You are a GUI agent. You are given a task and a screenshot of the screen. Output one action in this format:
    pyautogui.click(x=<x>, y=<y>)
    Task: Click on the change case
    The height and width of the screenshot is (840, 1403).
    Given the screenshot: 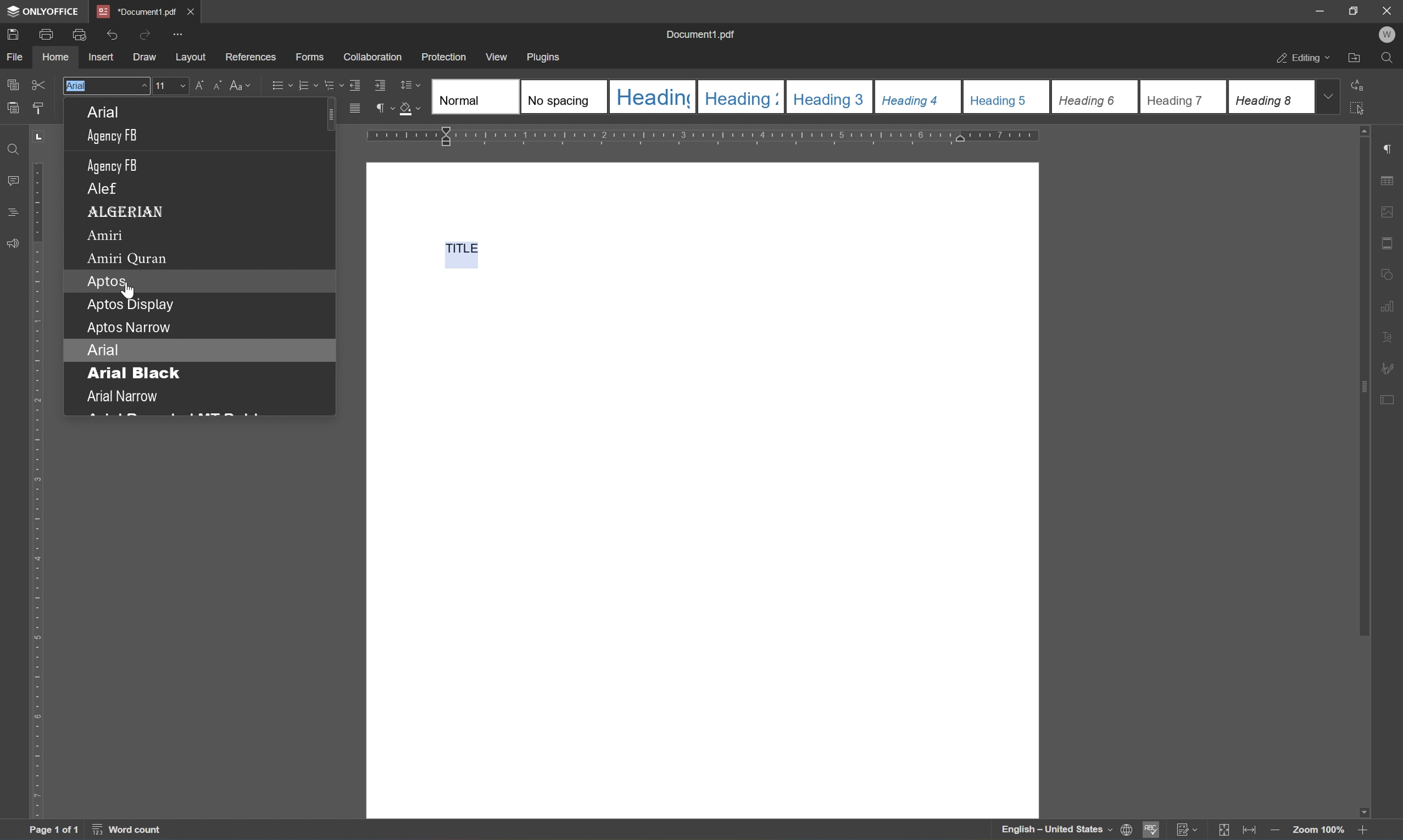 What is the action you would take?
    pyautogui.click(x=244, y=84)
    